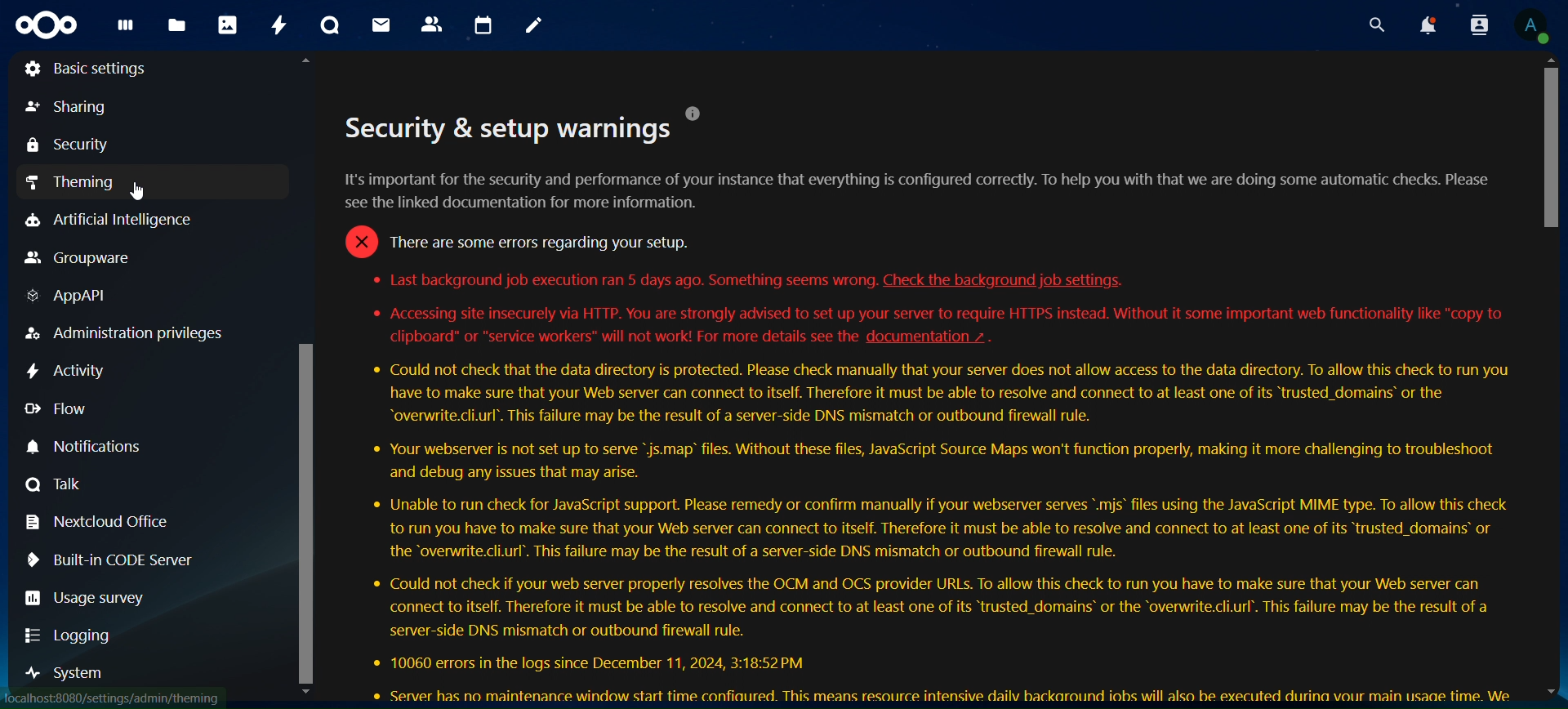 The width and height of the screenshot is (1568, 709). What do you see at coordinates (331, 25) in the screenshot?
I see `talk` at bounding box center [331, 25].